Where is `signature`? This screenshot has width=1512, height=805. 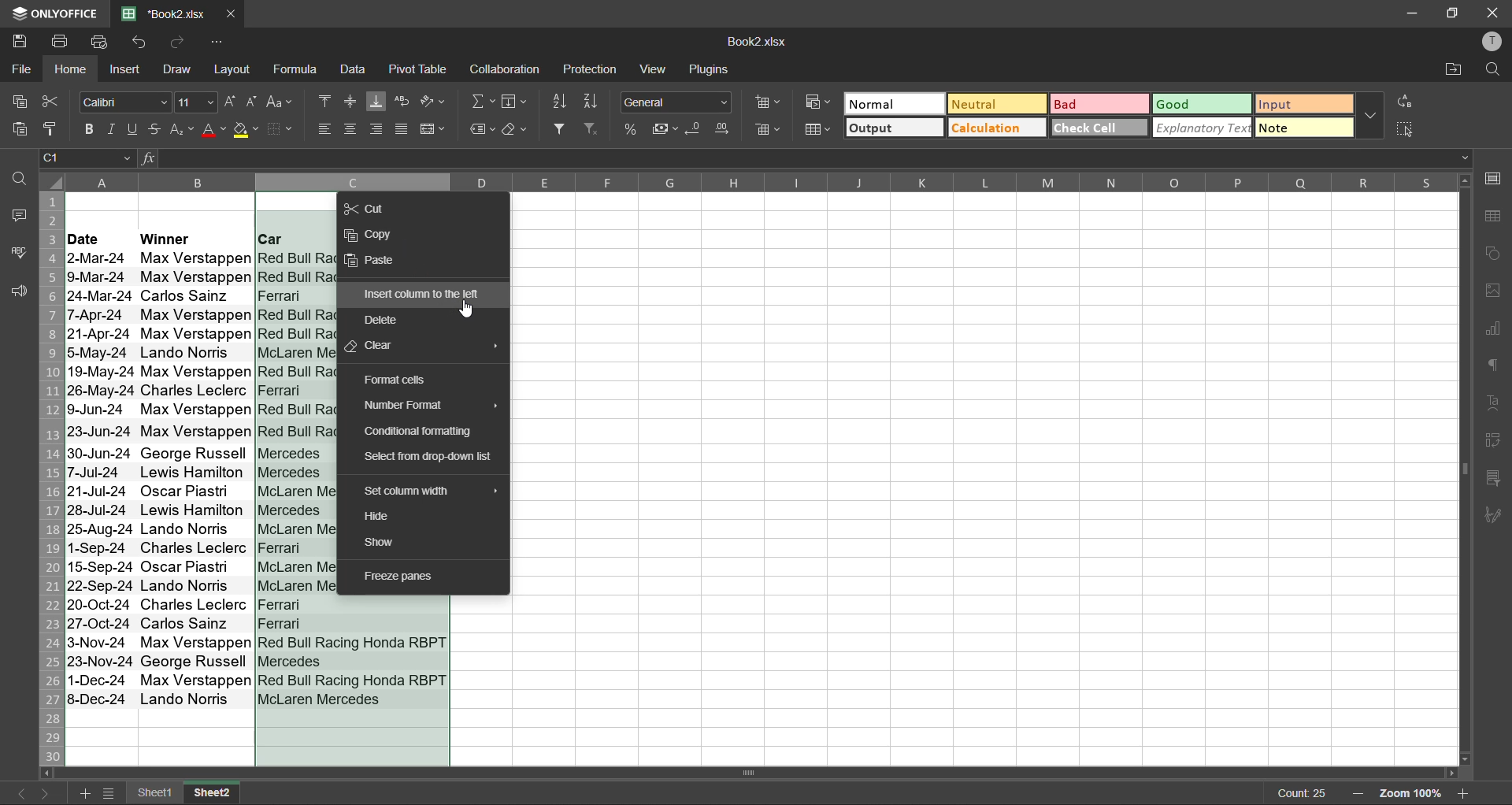 signature is located at coordinates (1494, 520).